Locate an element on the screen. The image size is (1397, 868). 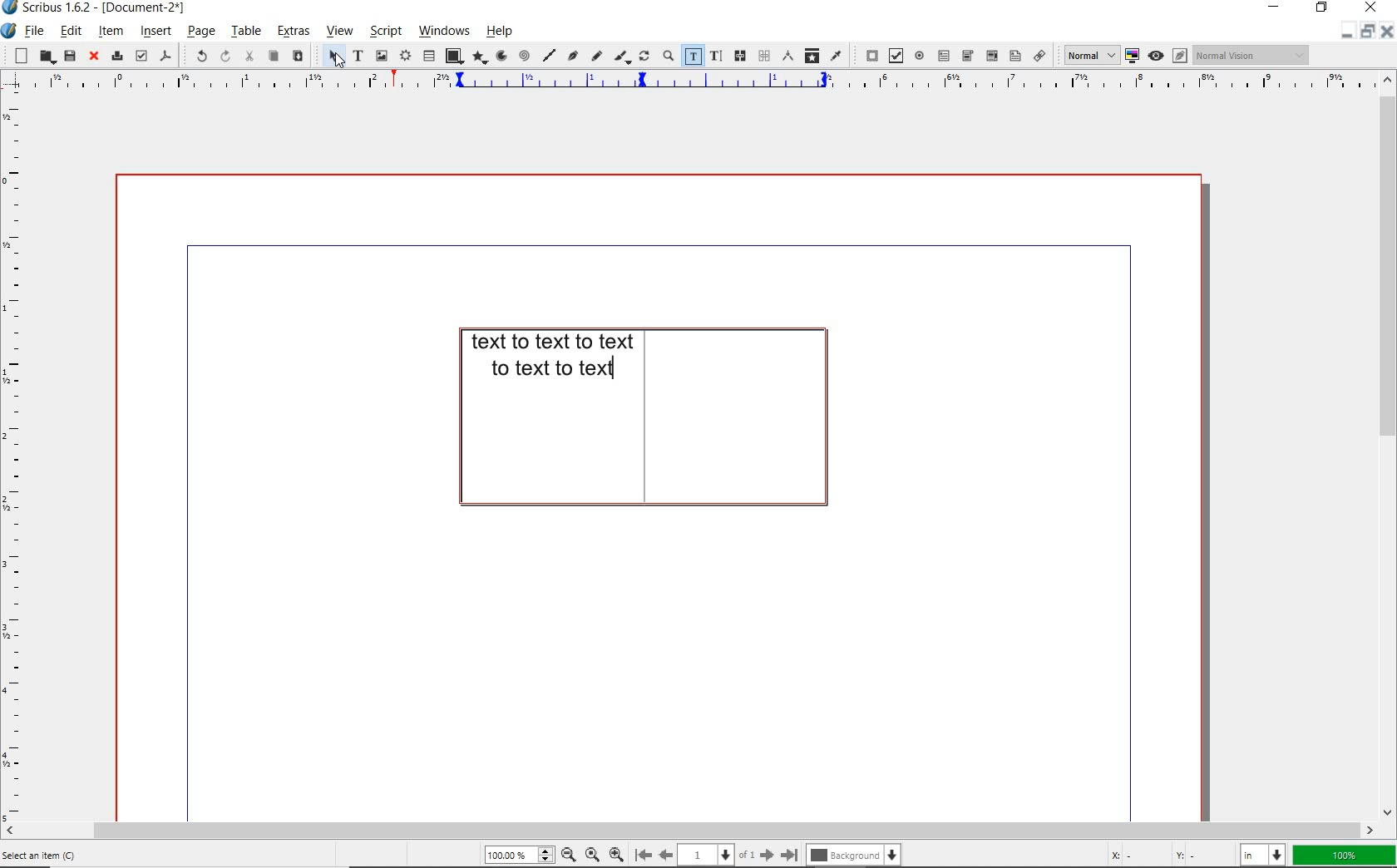
default zoom is located at coordinates (590, 853).